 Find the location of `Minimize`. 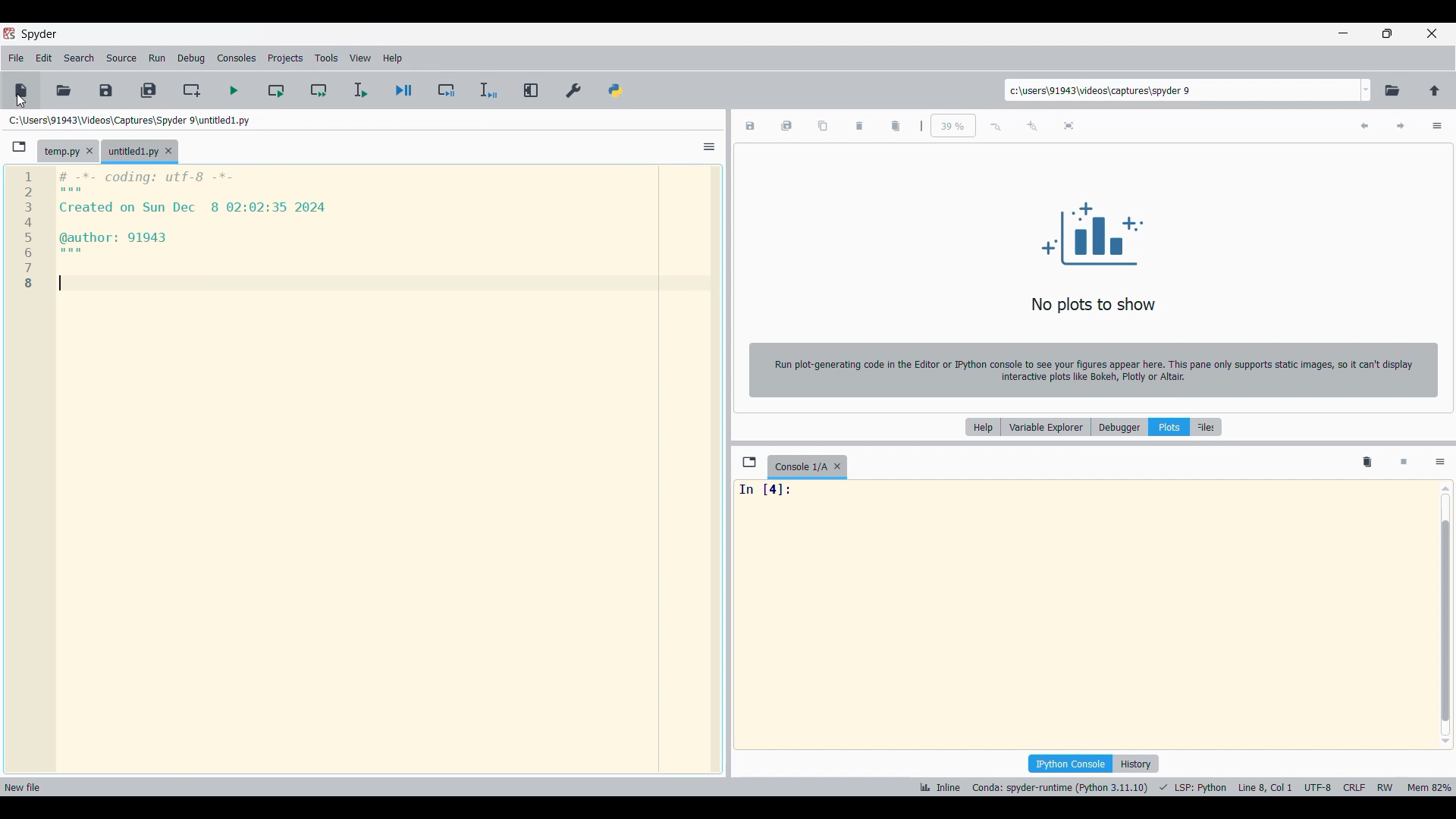

Minimize is located at coordinates (1343, 34).